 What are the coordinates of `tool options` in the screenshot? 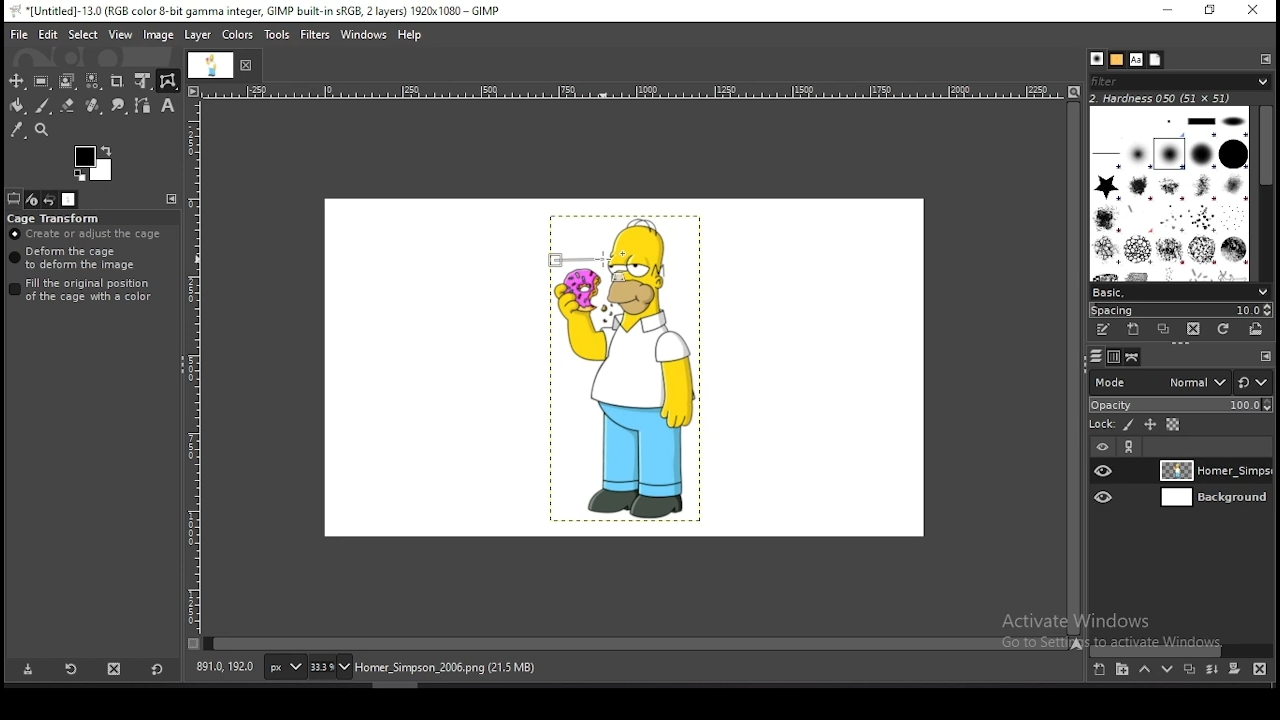 It's located at (14, 199).